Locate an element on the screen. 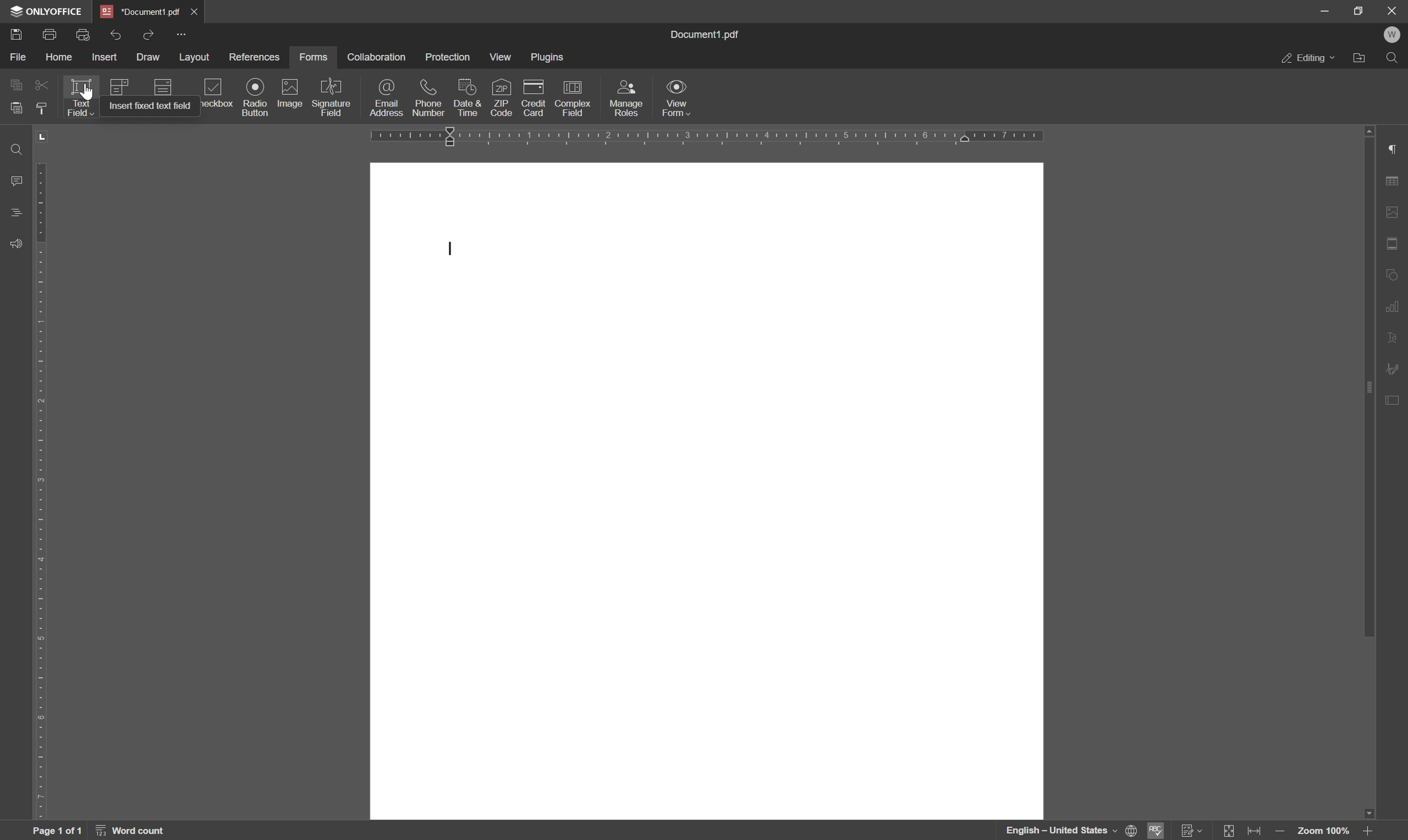 The width and height of the screenshot is (1408, 840). draw is located at coordinates (148, 55).